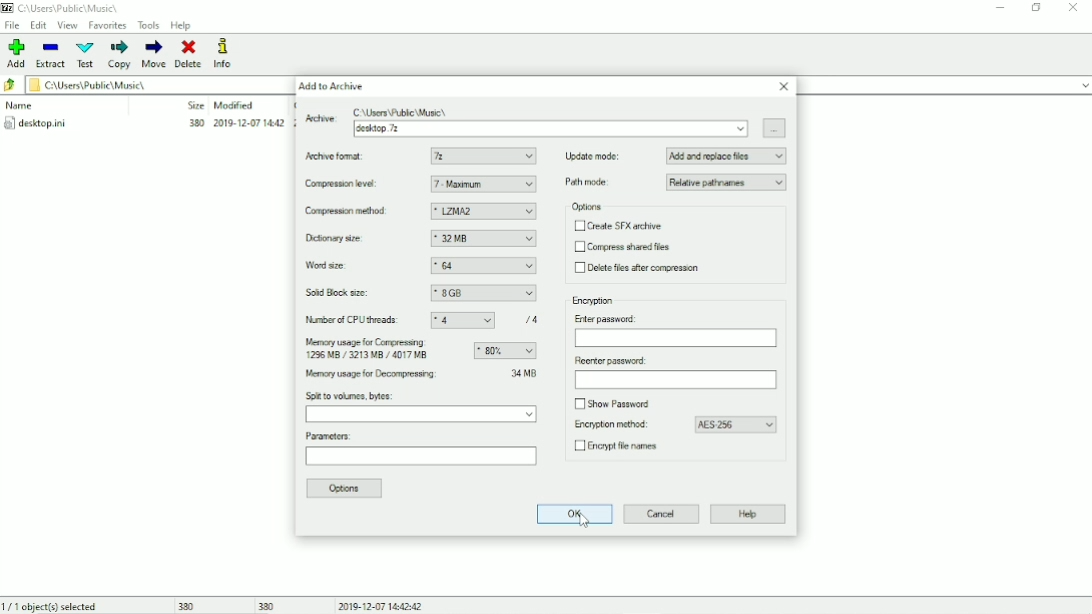  What do you see at coordinates (676, 339) in the screenshot?
I see `Enter password` at bounding box center [676, 339].